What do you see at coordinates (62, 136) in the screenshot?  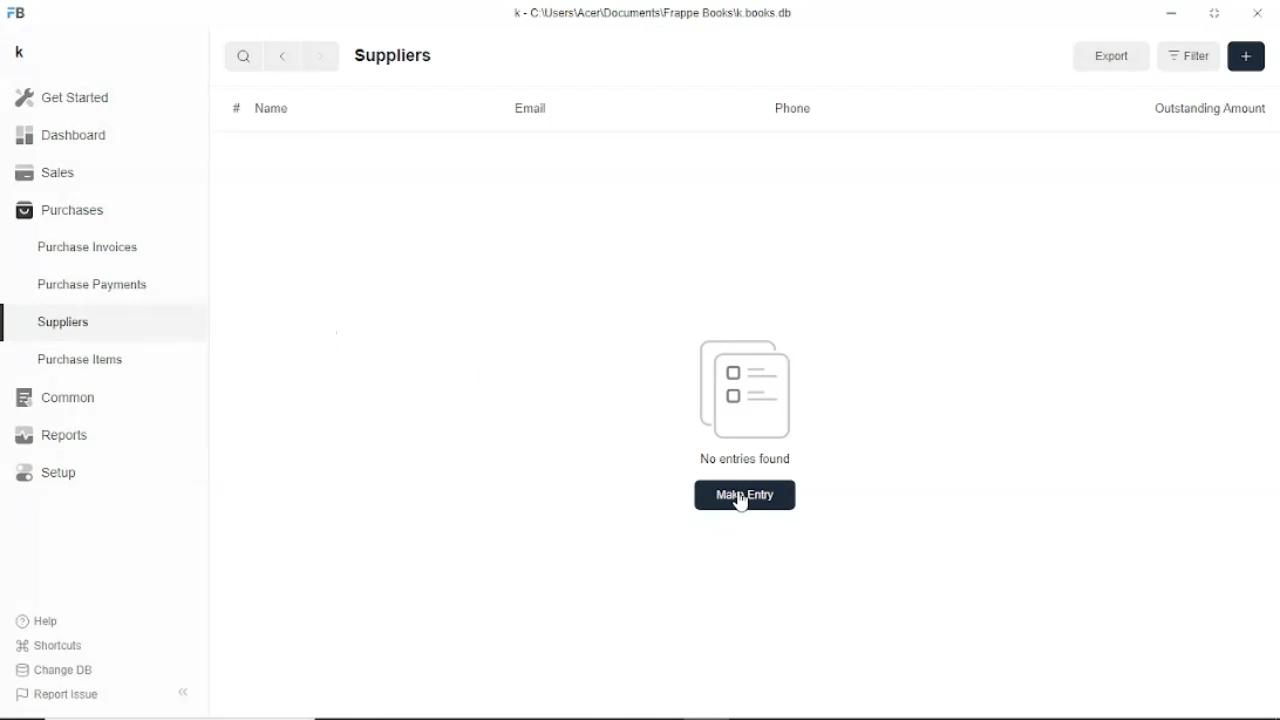 I see `Dashboard` at bounding box center [62, 136].